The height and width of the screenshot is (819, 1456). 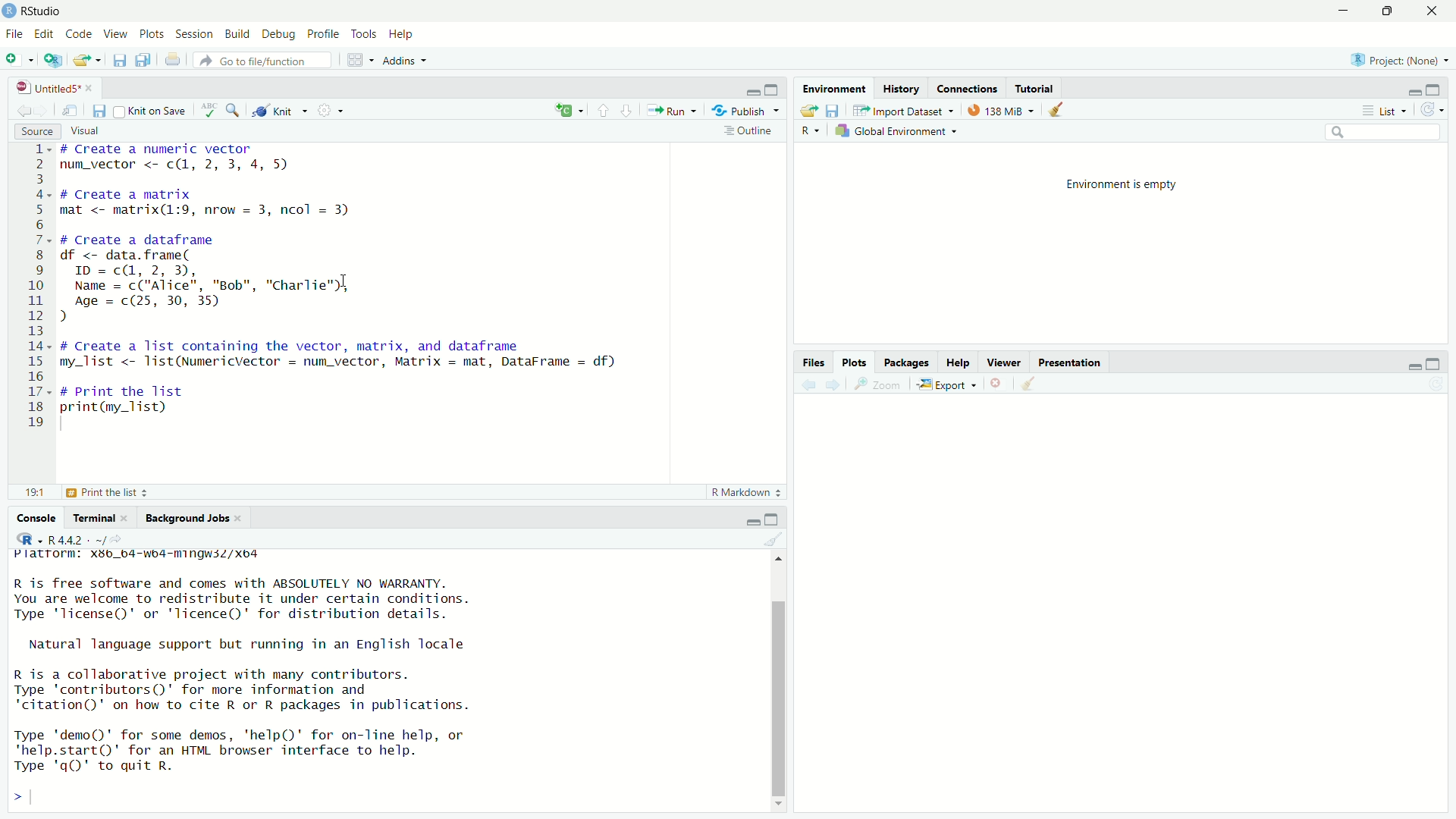 I want to click on Visual, so click(x=93, y=129).